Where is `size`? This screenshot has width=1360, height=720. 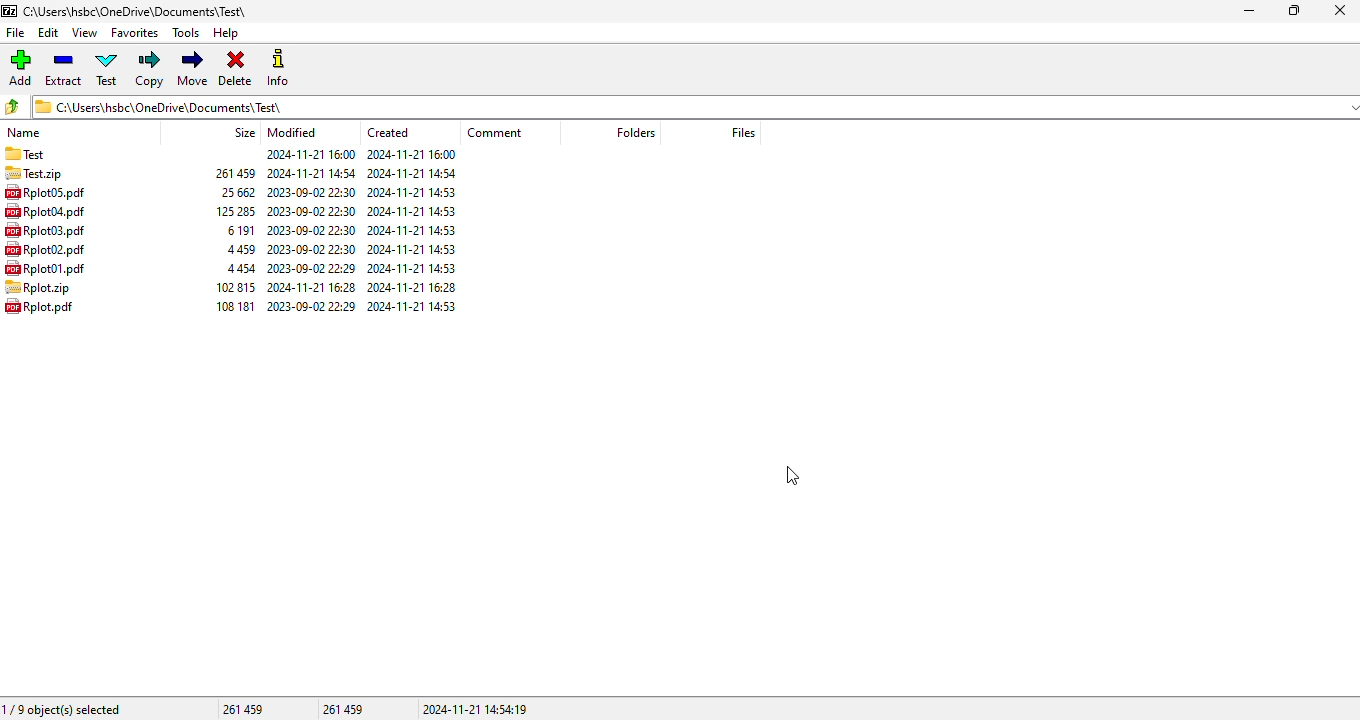 size is located at coordinates (233, 211).